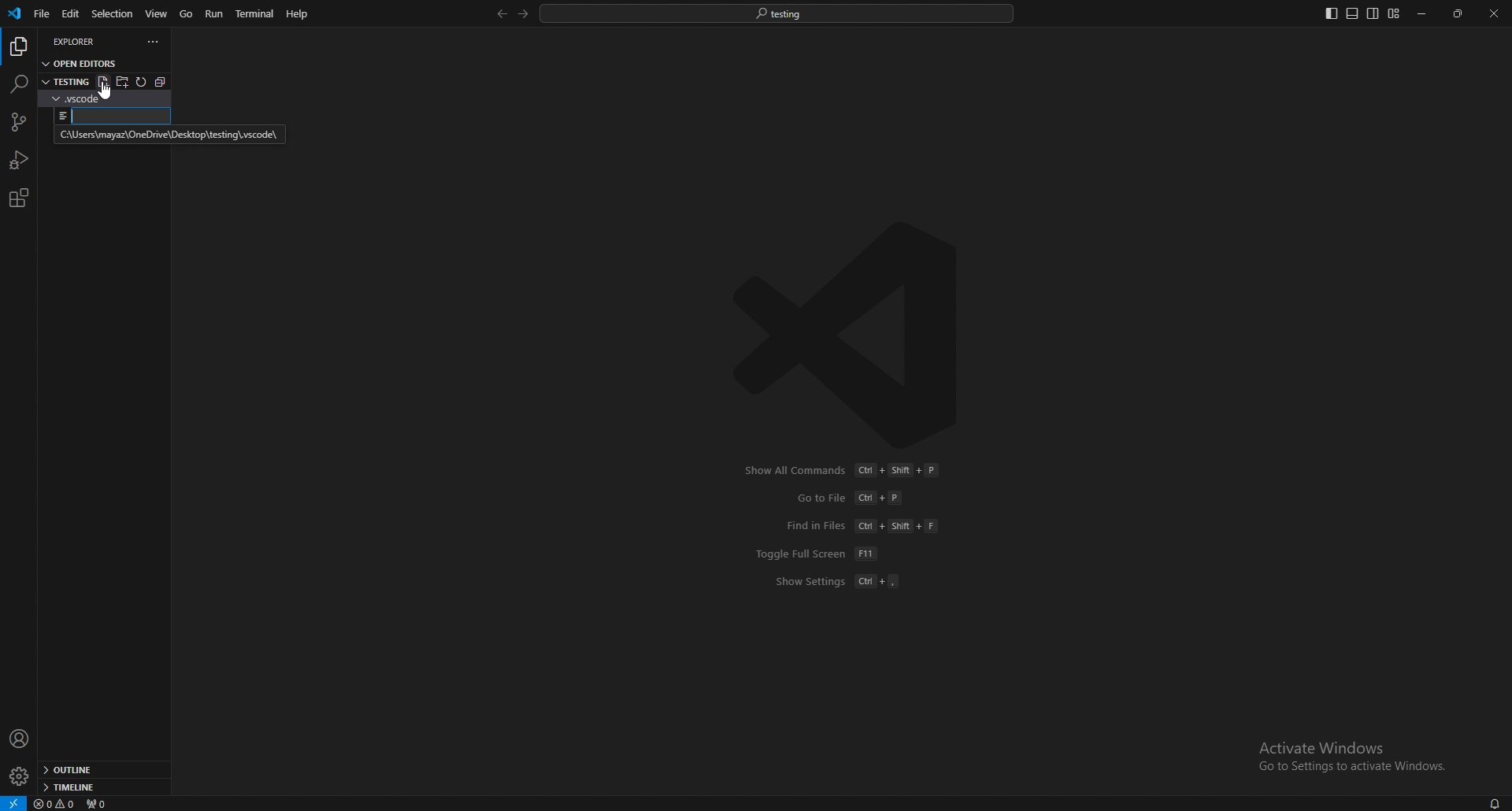 The image size is (1512, 811). What do you see at coordinates (855, 335) in the screenshot?
I see `vscode logo` at bounding box center [855, 335].